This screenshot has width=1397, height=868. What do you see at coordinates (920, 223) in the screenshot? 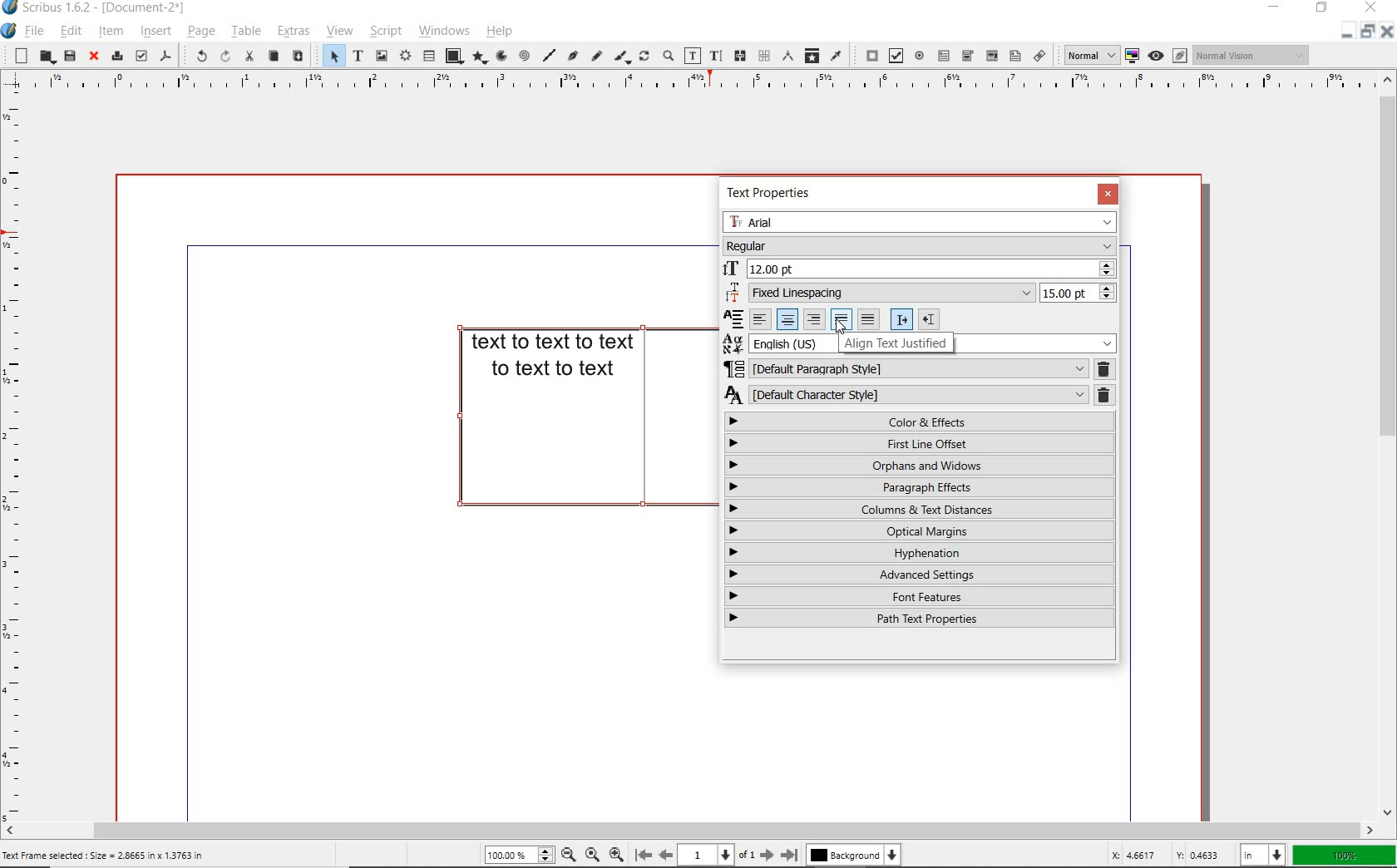
I see `FONT FAMILY` at bounding box center [920, 223].